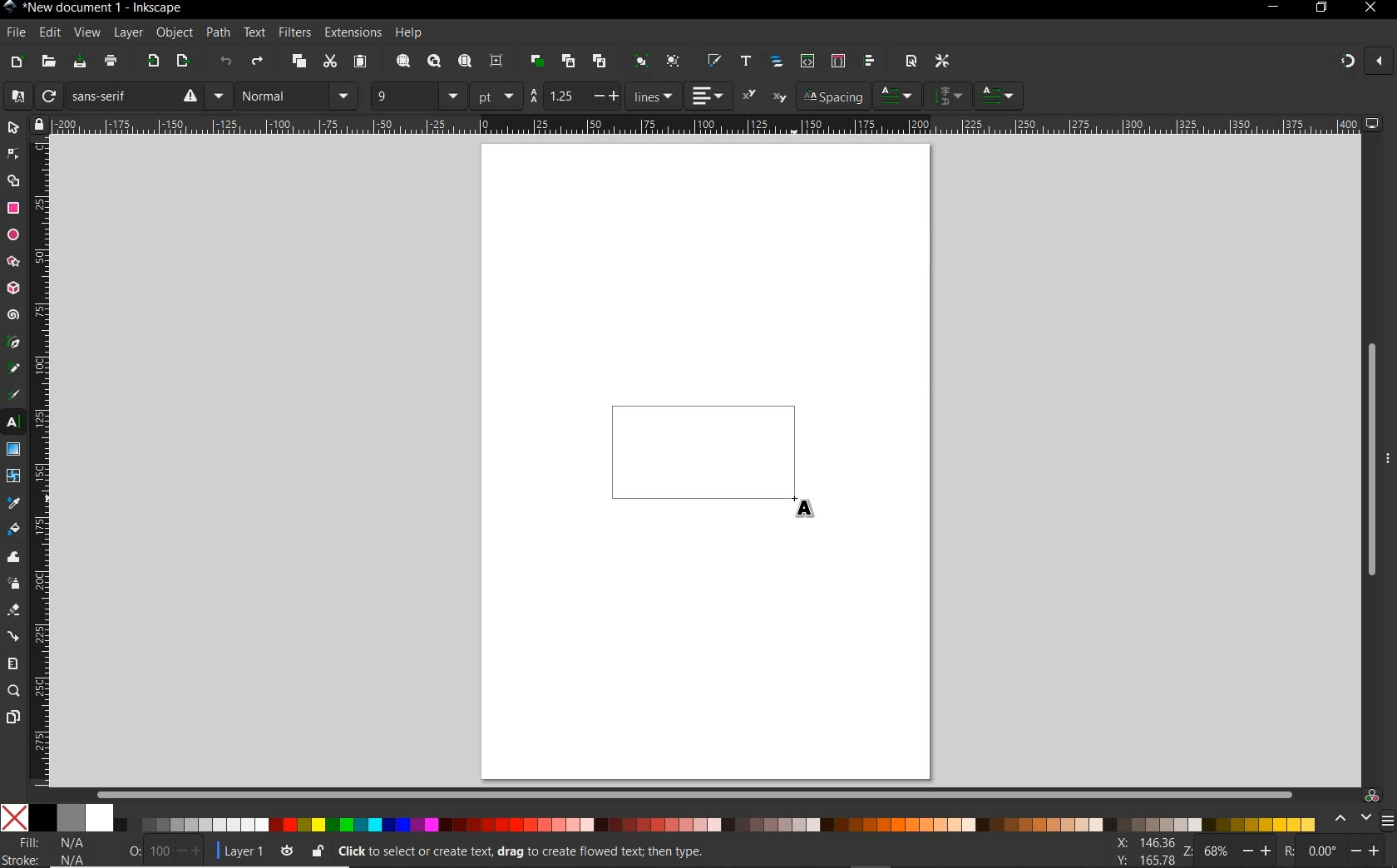 The width and height of the screenshot is (1397, 868). What do you see at coordinates (190, 851) in the screenshot?
I see `increase/decrease` at bounding box center [190, 851].